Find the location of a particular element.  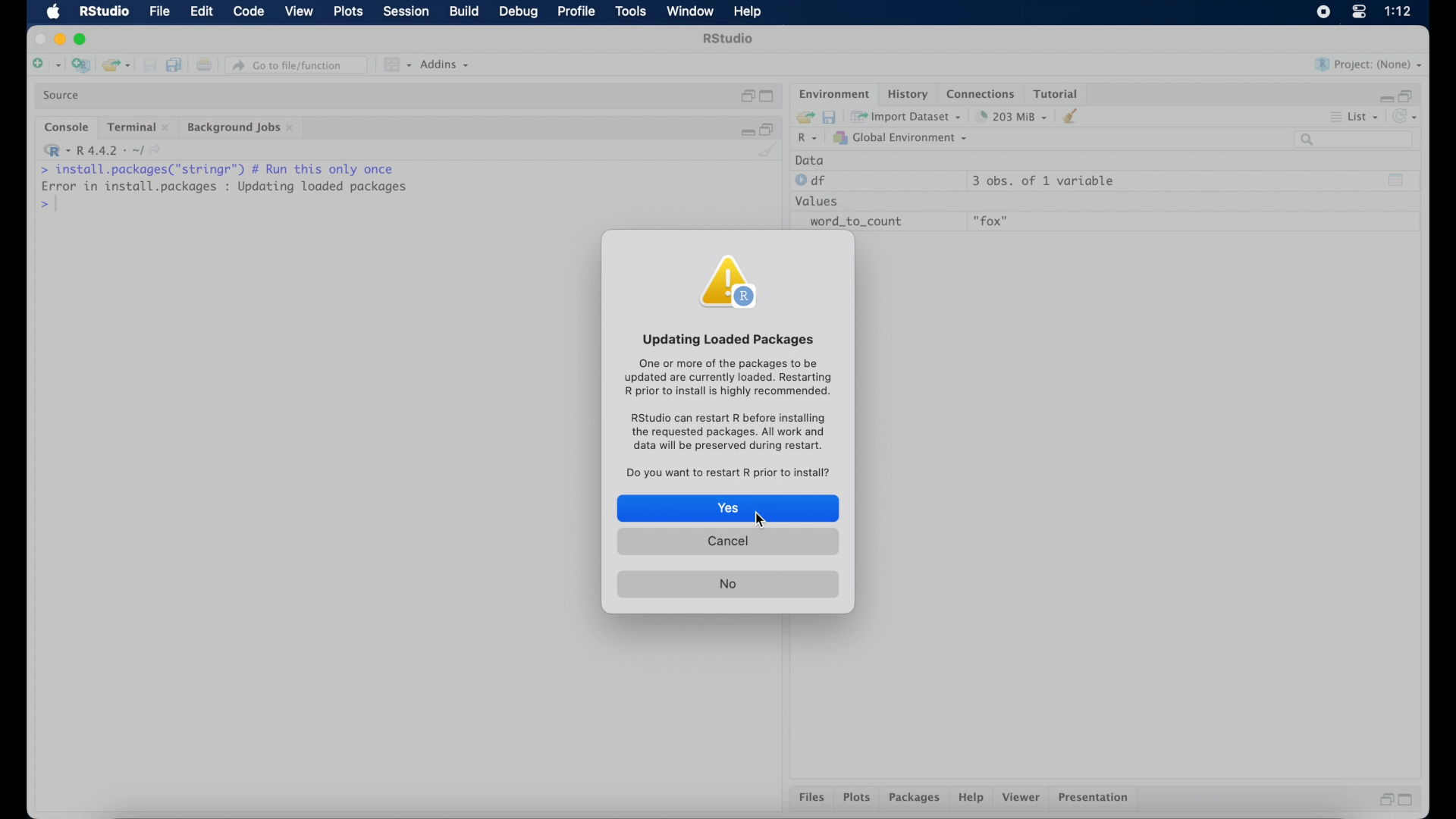

debug is located at coordinates (519, 13).